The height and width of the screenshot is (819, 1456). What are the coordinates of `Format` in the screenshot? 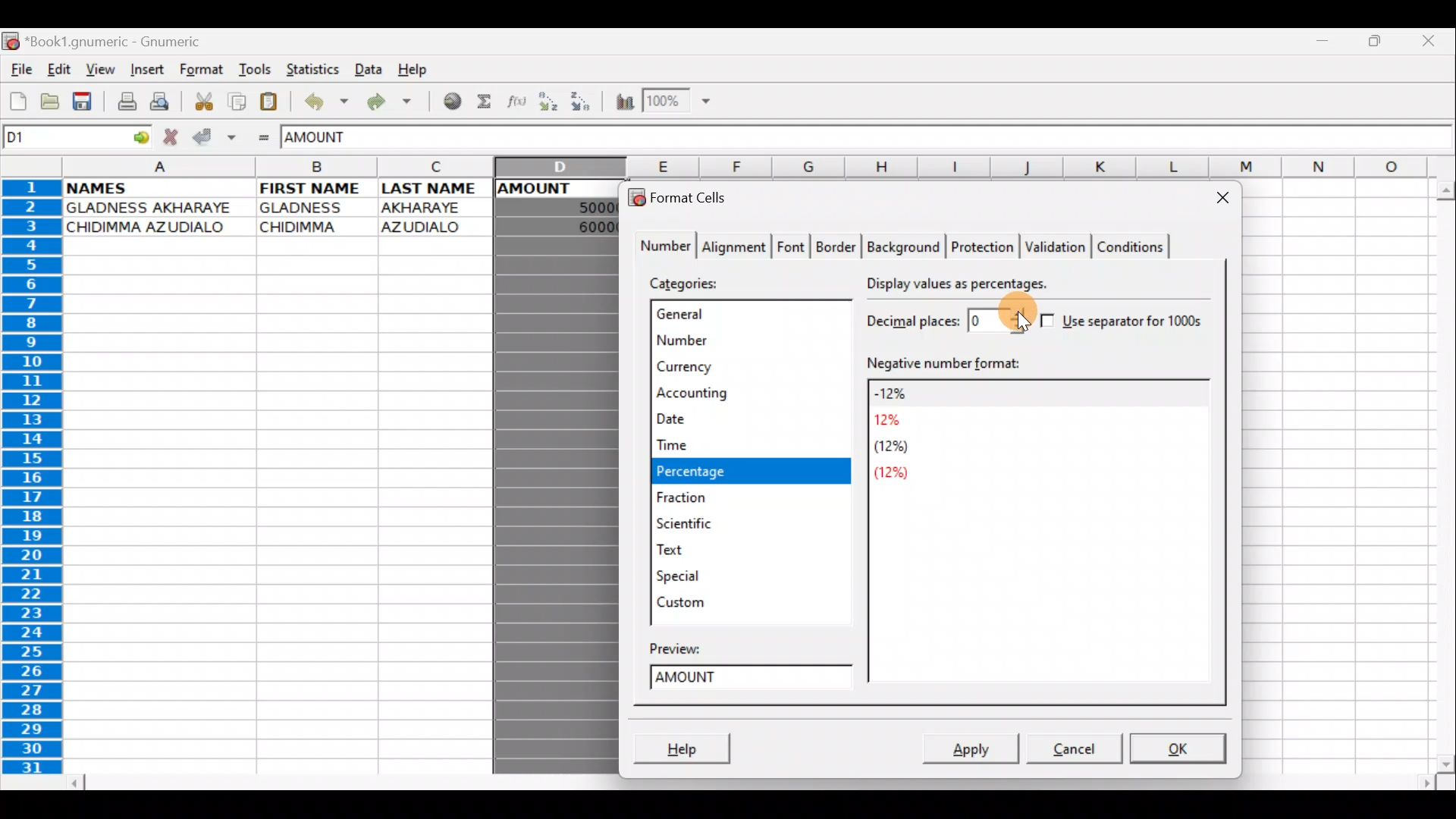 It's located at (201, 72).